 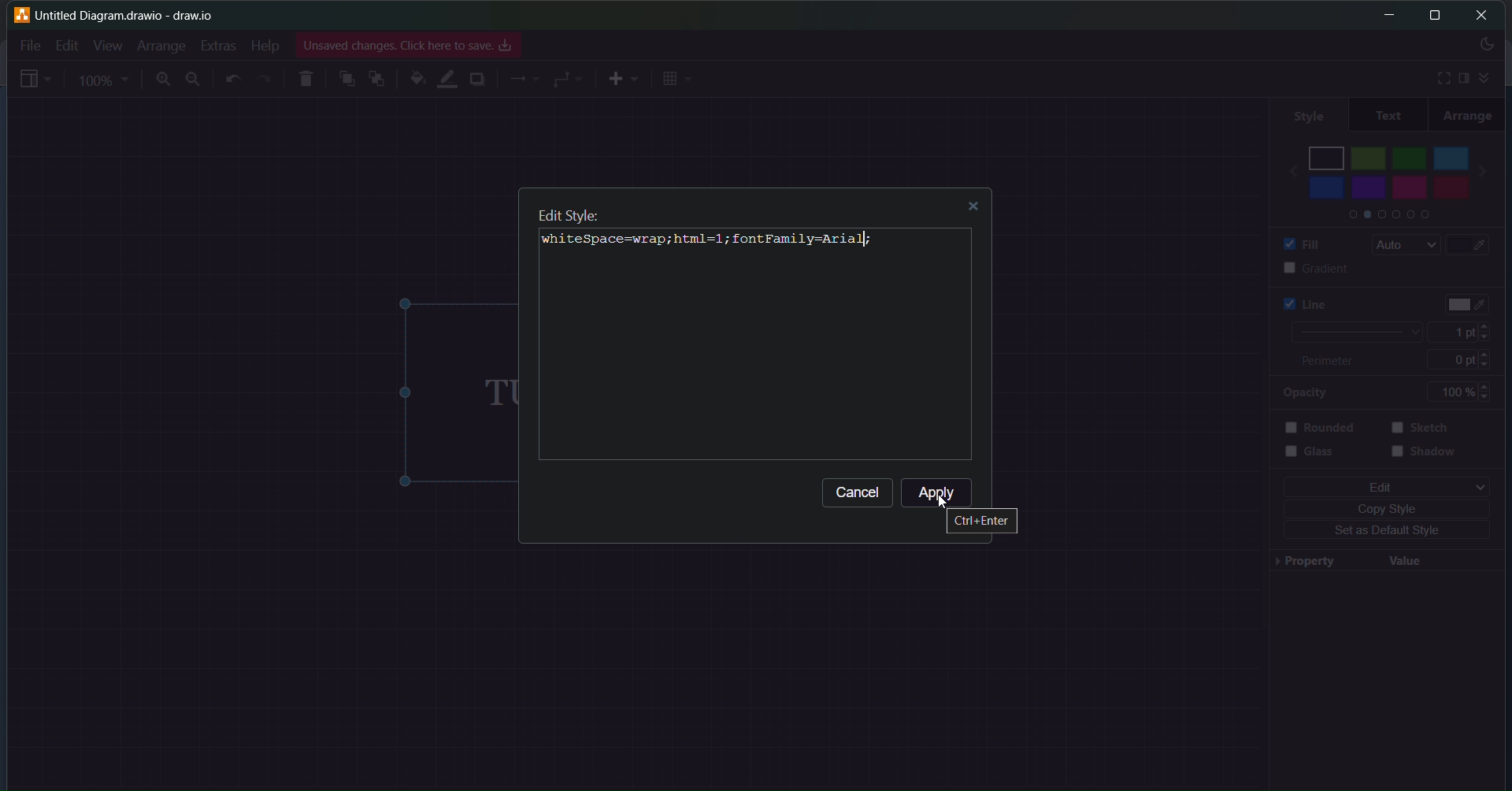 What do you see at coordinates (1325, 427) in the screenshot?
I see `rounded` at bounding box center [1325, 427].